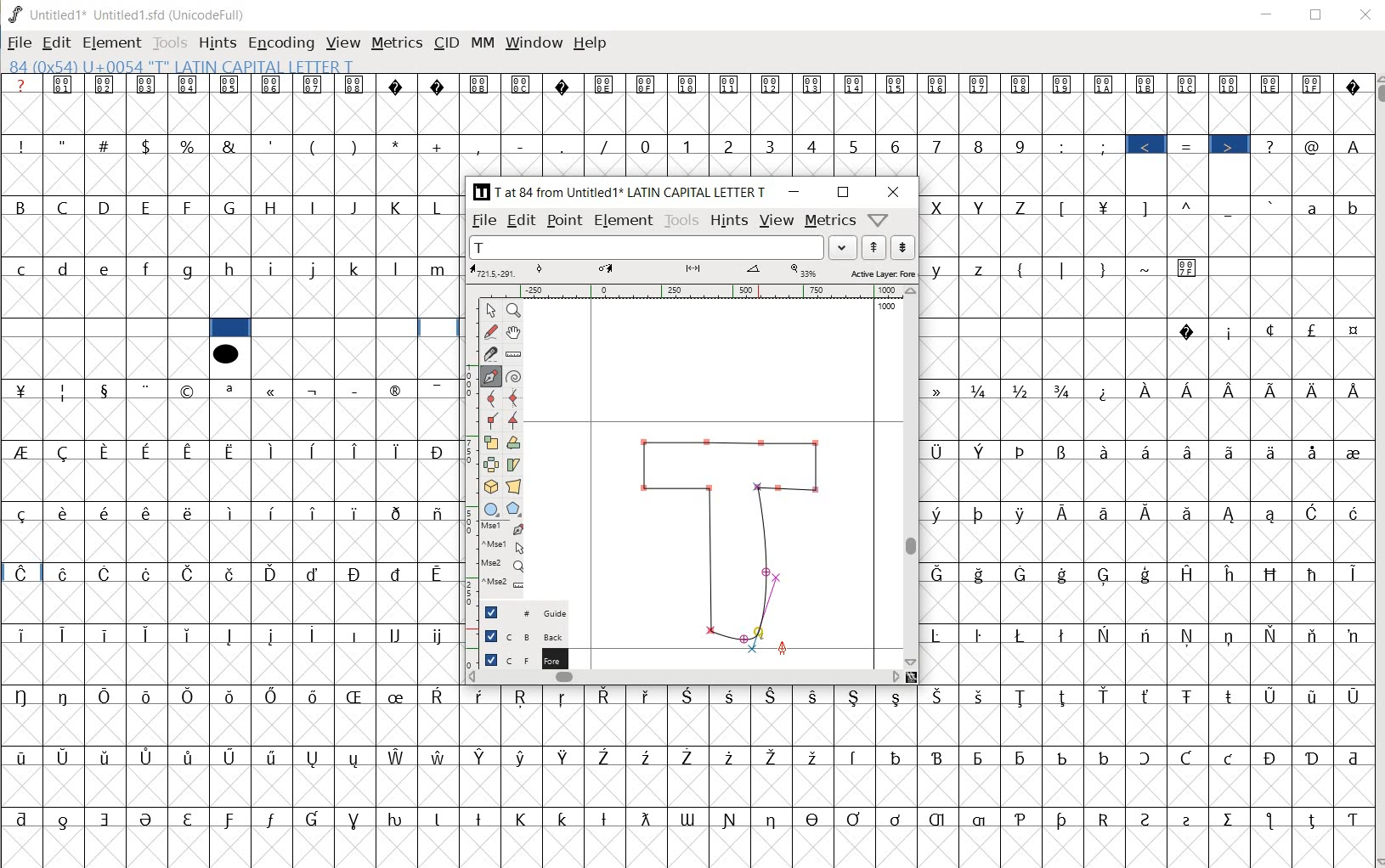 Image resolution: width=1385 pixels, height=868 pixels. I want to click on pen, so click(491, 375).